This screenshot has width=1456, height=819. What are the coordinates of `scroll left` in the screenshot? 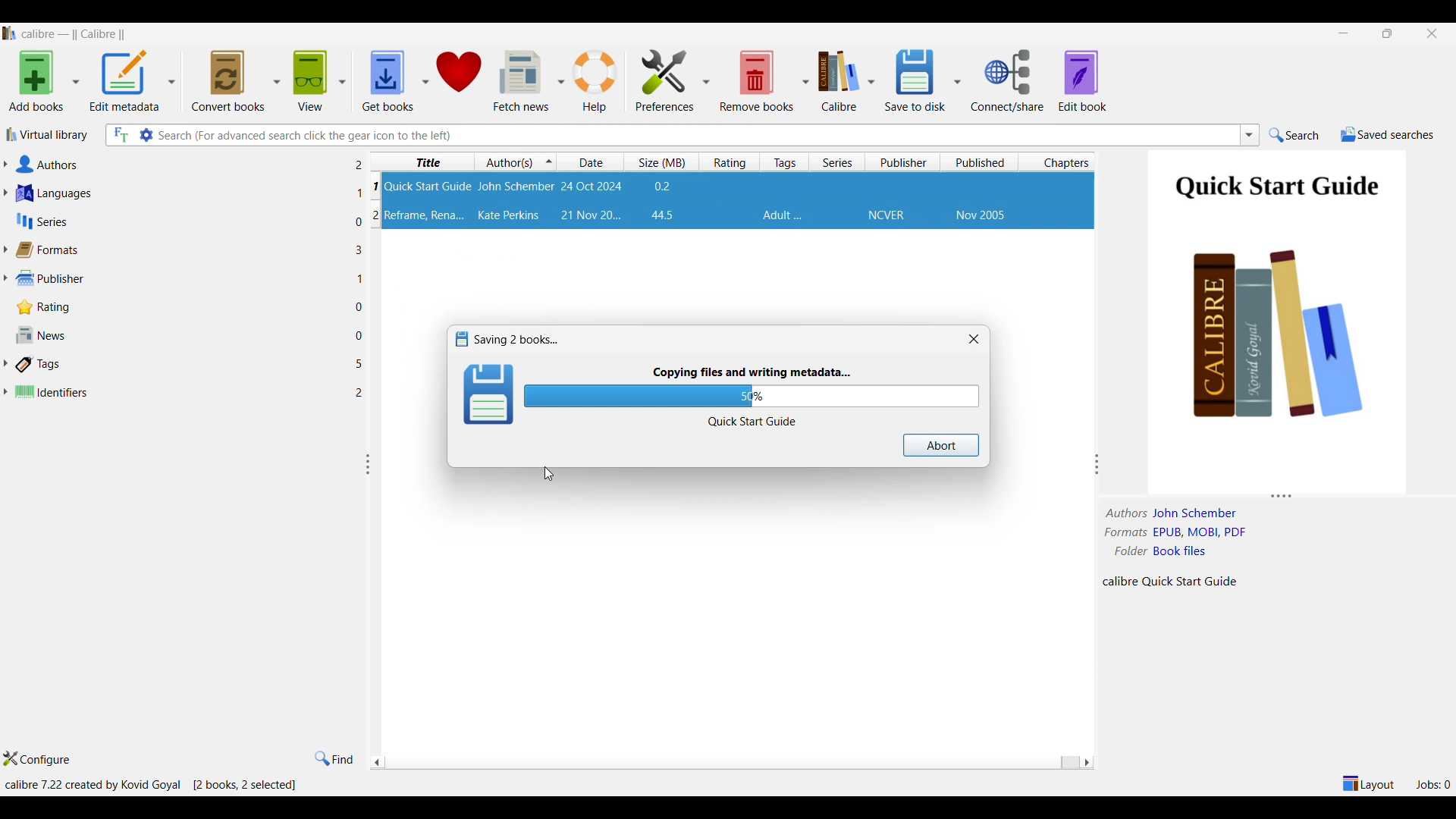 It's located at (1086, 762).